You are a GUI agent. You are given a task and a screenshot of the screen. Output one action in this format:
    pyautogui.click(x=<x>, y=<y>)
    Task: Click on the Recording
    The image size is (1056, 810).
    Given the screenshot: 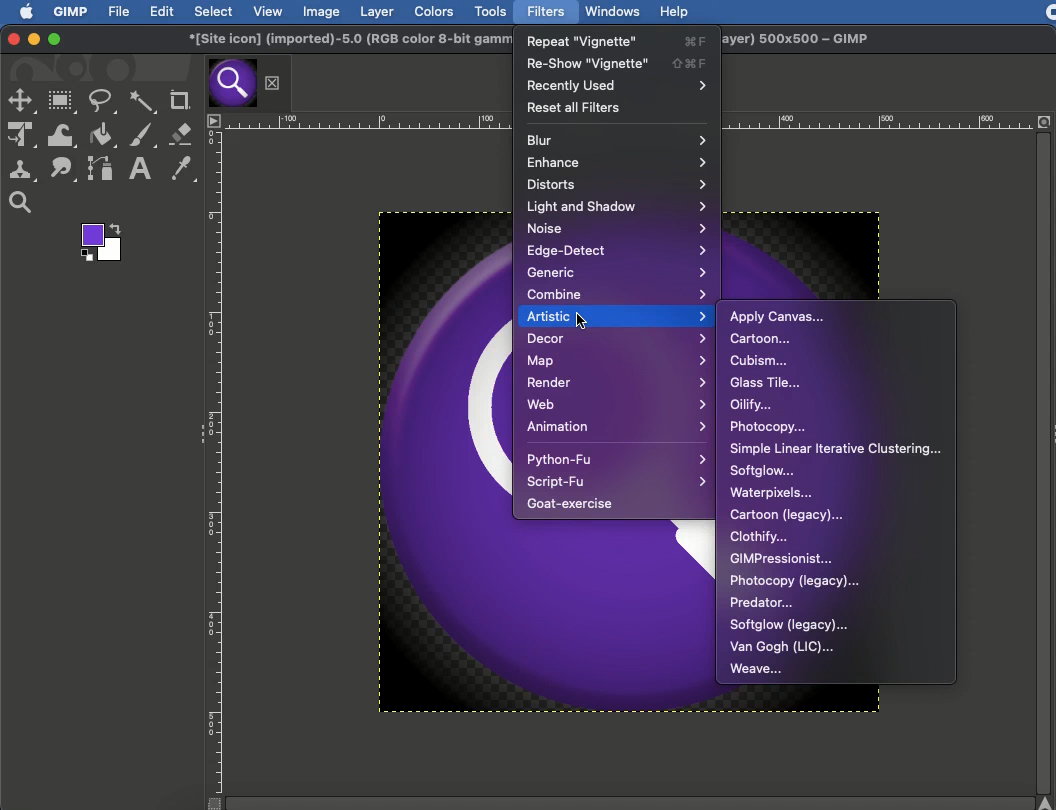 What is the action you would take?
    pyautogui.click(x=1050, y=13)
    